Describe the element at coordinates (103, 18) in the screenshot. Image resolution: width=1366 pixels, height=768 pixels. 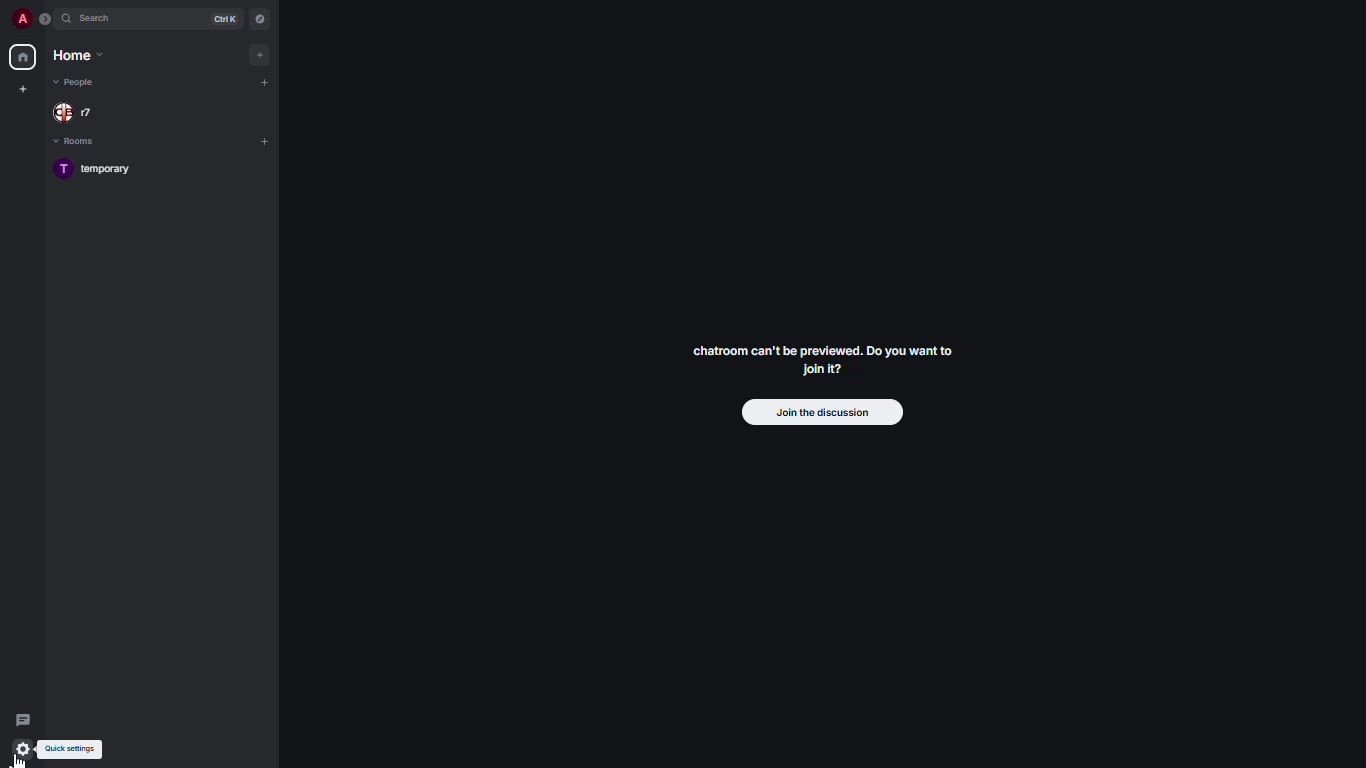
I see `search` at that location.